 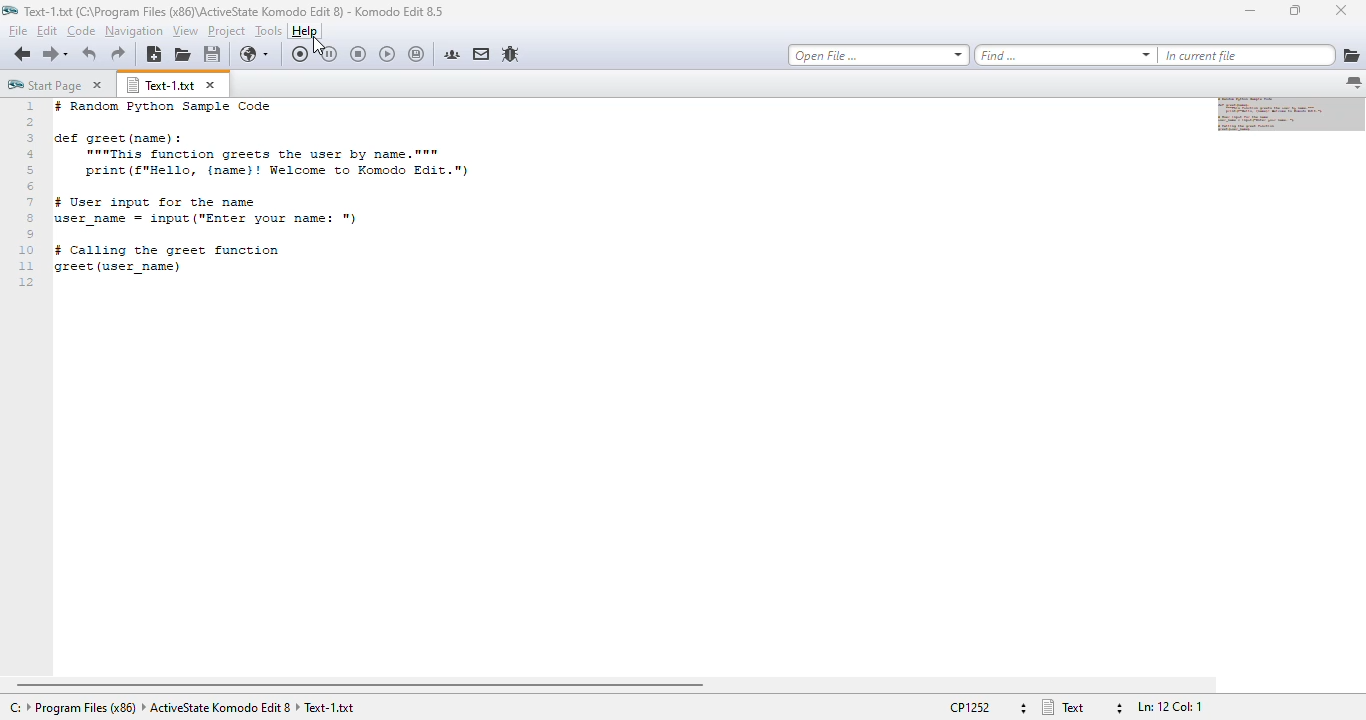 What do you see at coordinates (46, 30) in the screenshot?
I see `edit` at bounding box center [46, 30].